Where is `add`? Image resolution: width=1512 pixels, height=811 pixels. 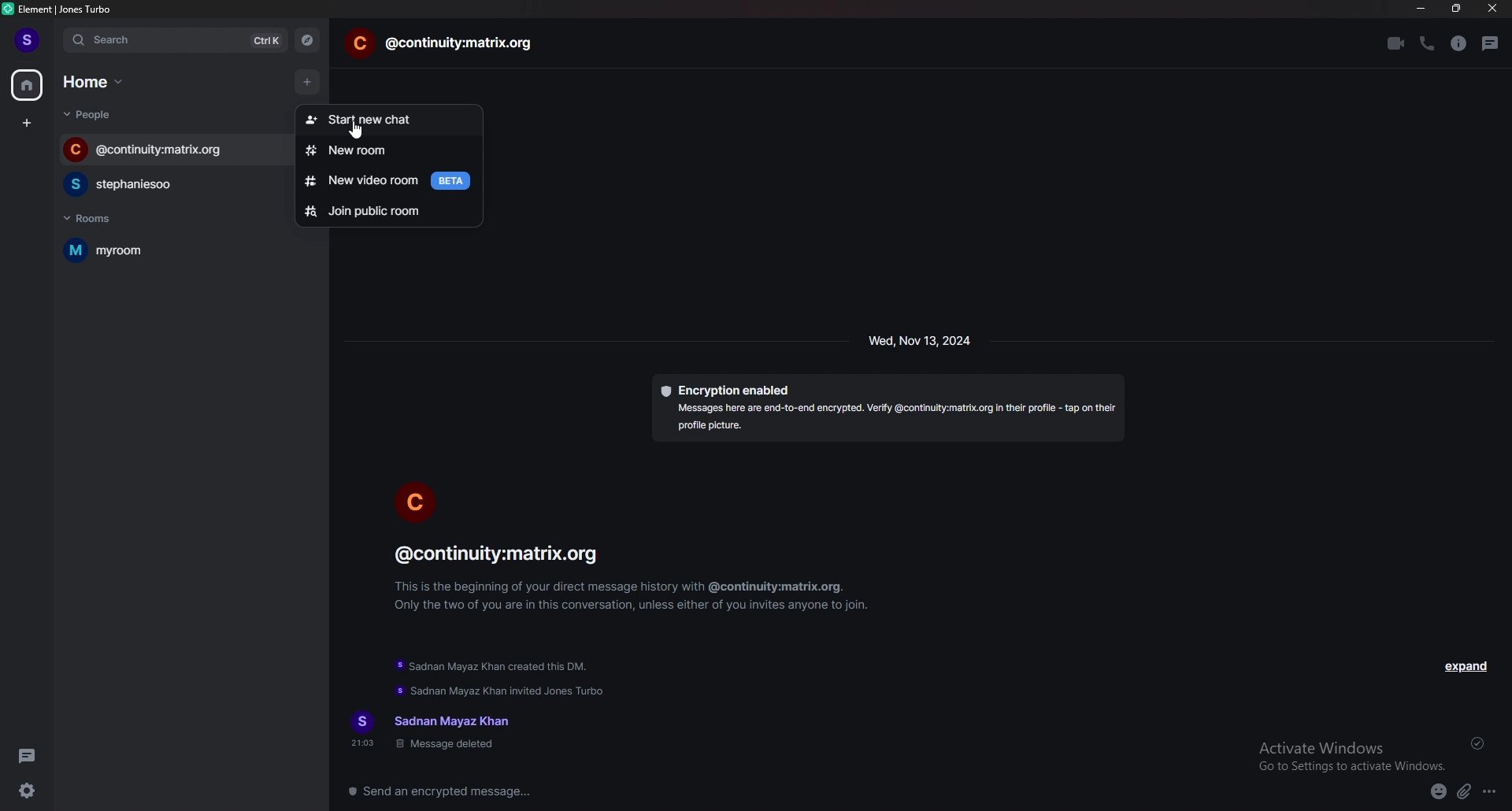
add is located at coordinates (306, 79).